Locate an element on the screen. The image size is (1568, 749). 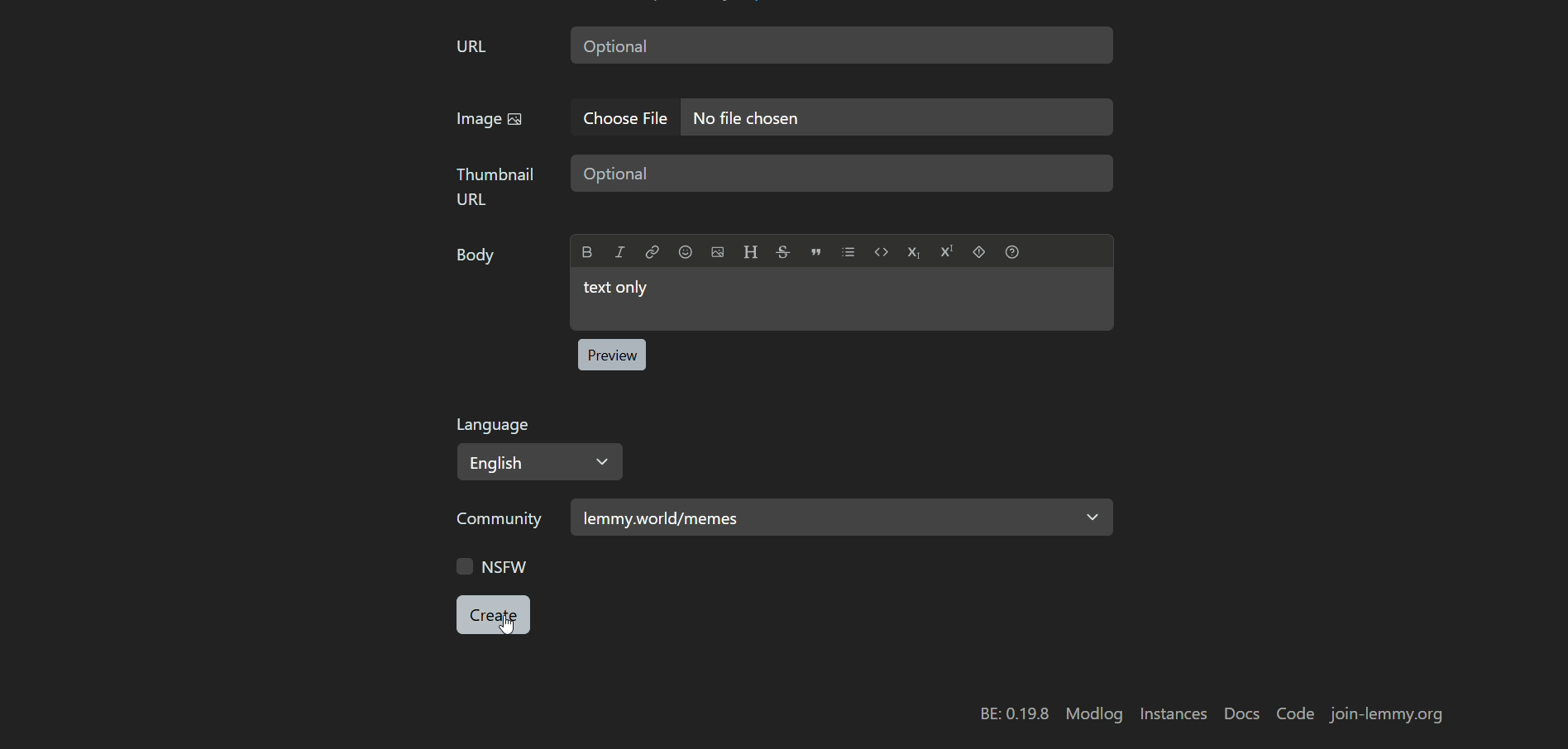
image is located at coordinates (490, 121).